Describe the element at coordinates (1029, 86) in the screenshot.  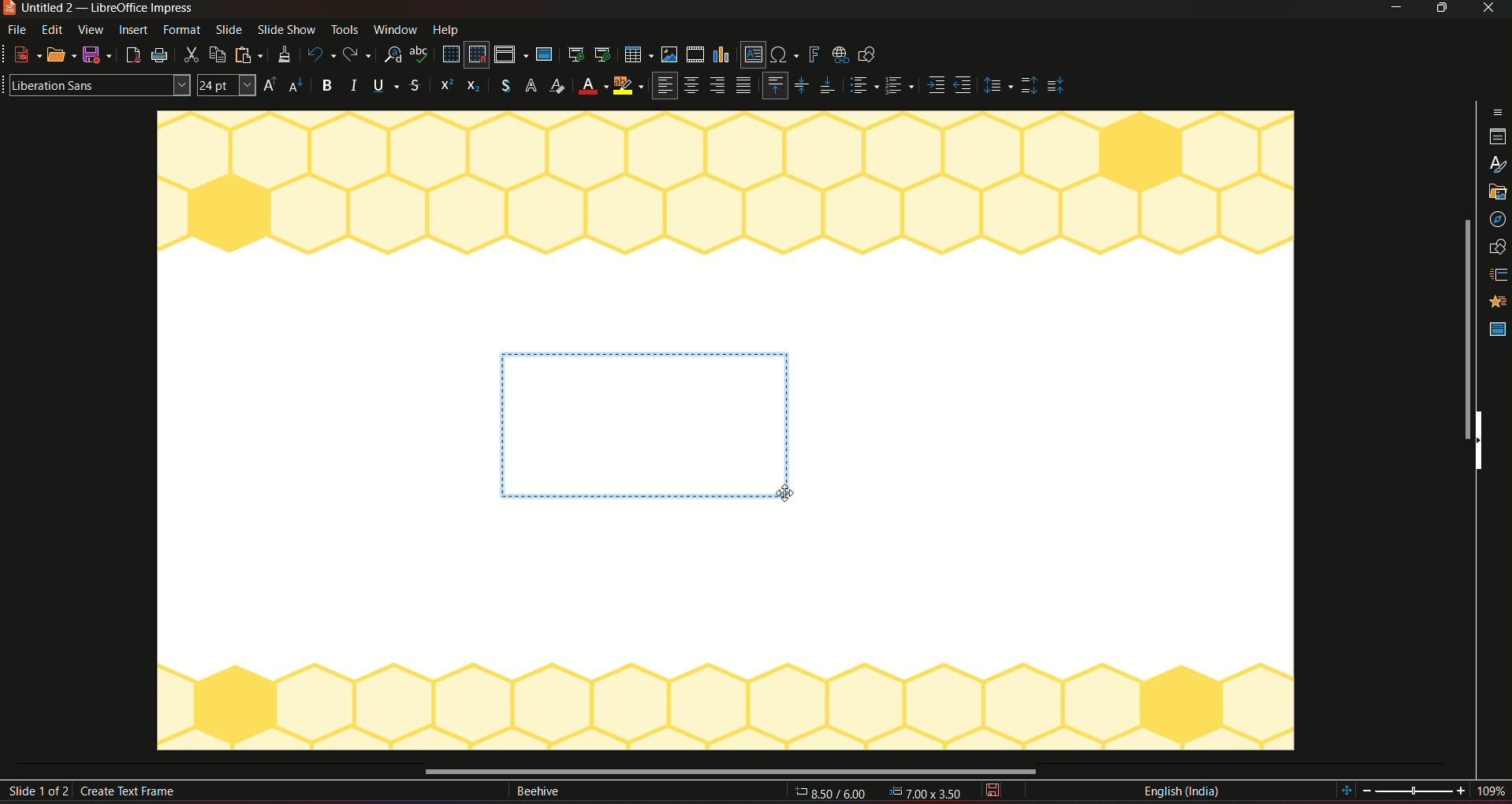
I see `Top spacing` at that location.